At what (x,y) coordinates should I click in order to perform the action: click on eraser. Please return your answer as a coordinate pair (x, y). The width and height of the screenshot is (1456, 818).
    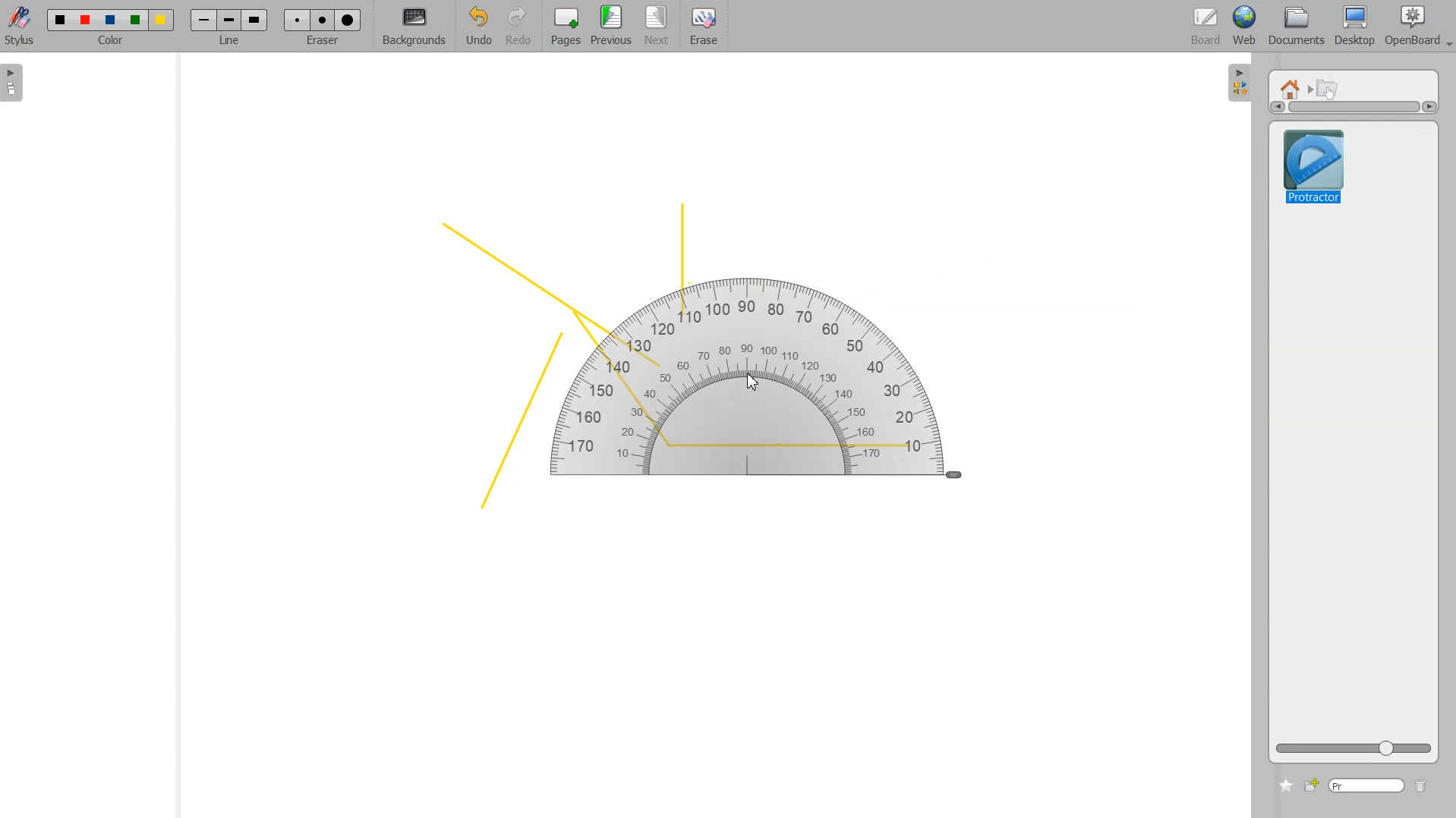
    Looking at the image, I should click on (320, 45).